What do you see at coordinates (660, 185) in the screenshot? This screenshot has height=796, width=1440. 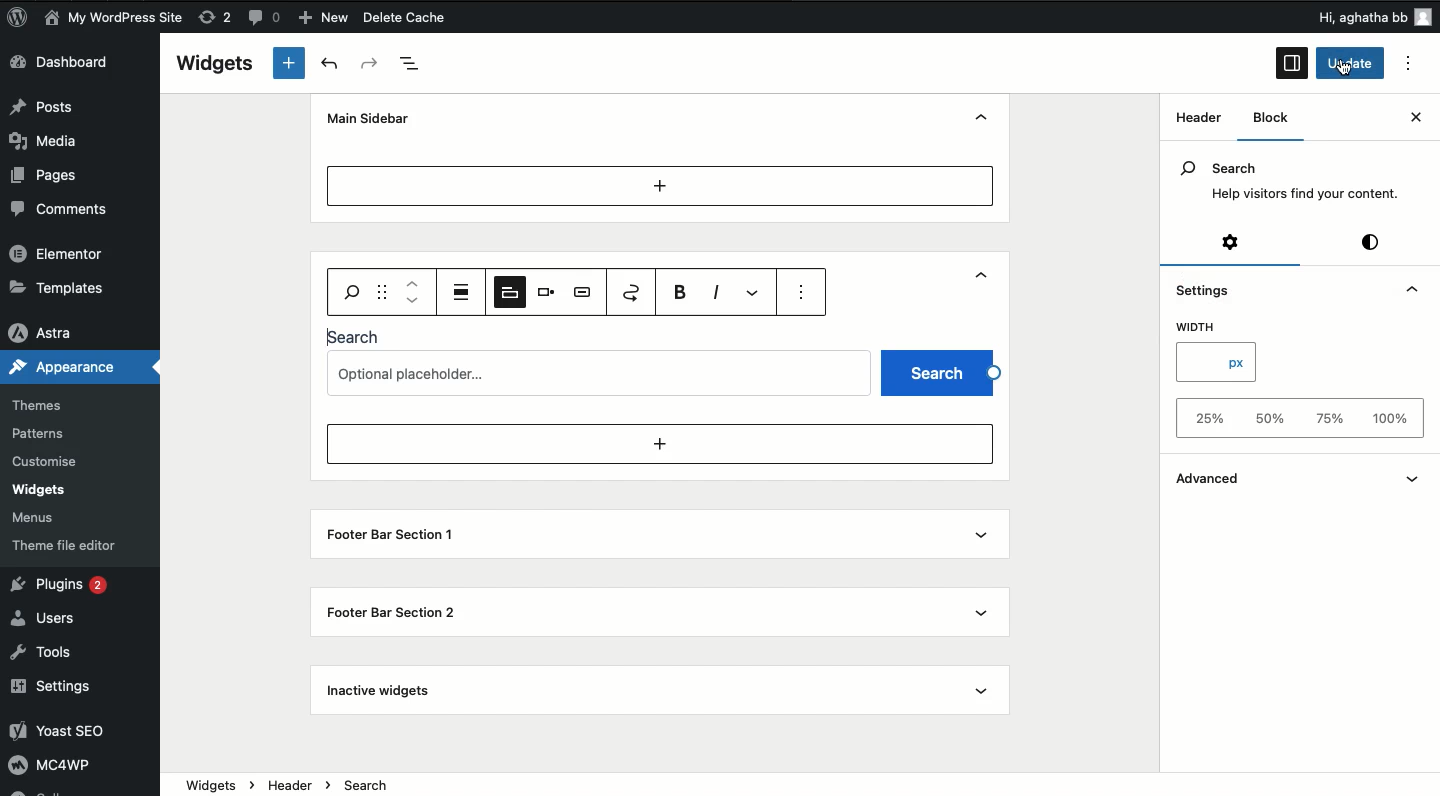 I see `Add new block` at bounding box center [660, 185].